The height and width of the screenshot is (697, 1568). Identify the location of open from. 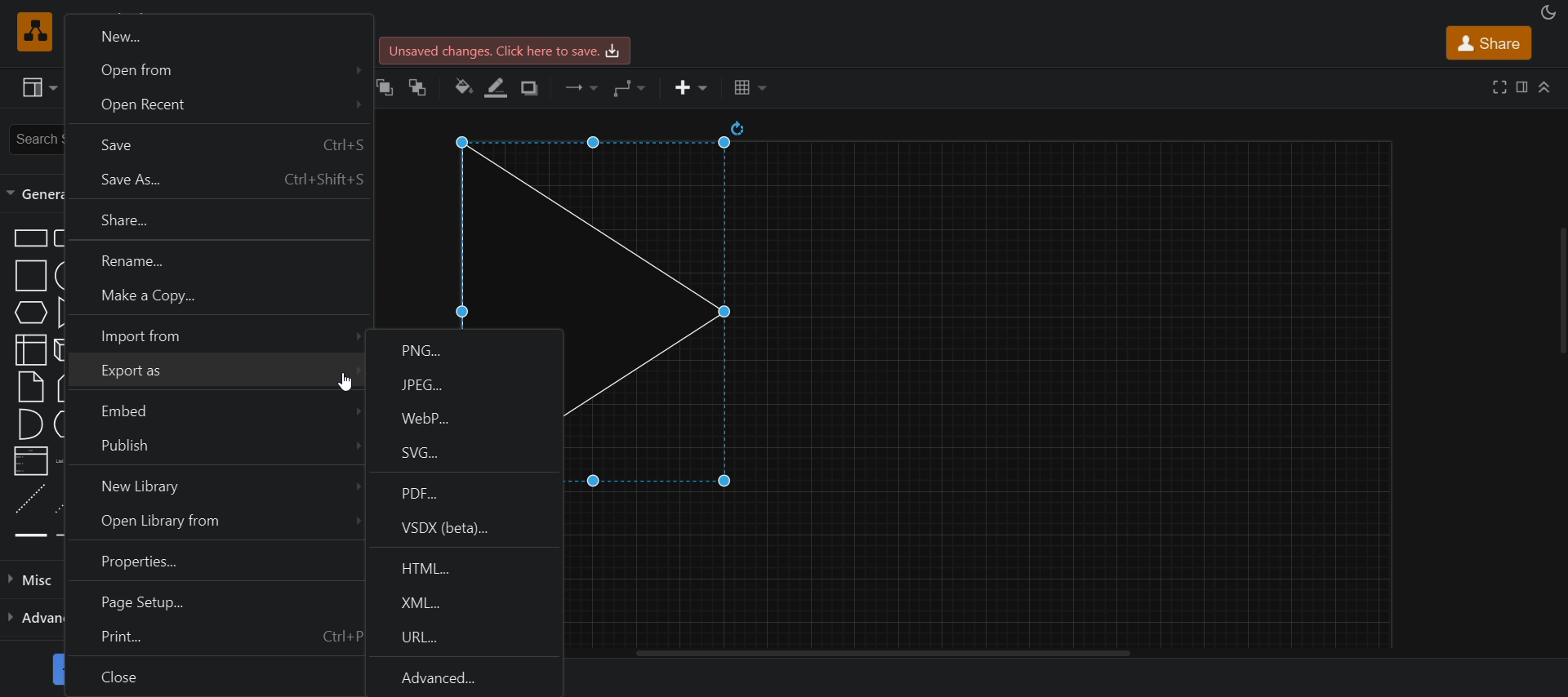
(216, 69).